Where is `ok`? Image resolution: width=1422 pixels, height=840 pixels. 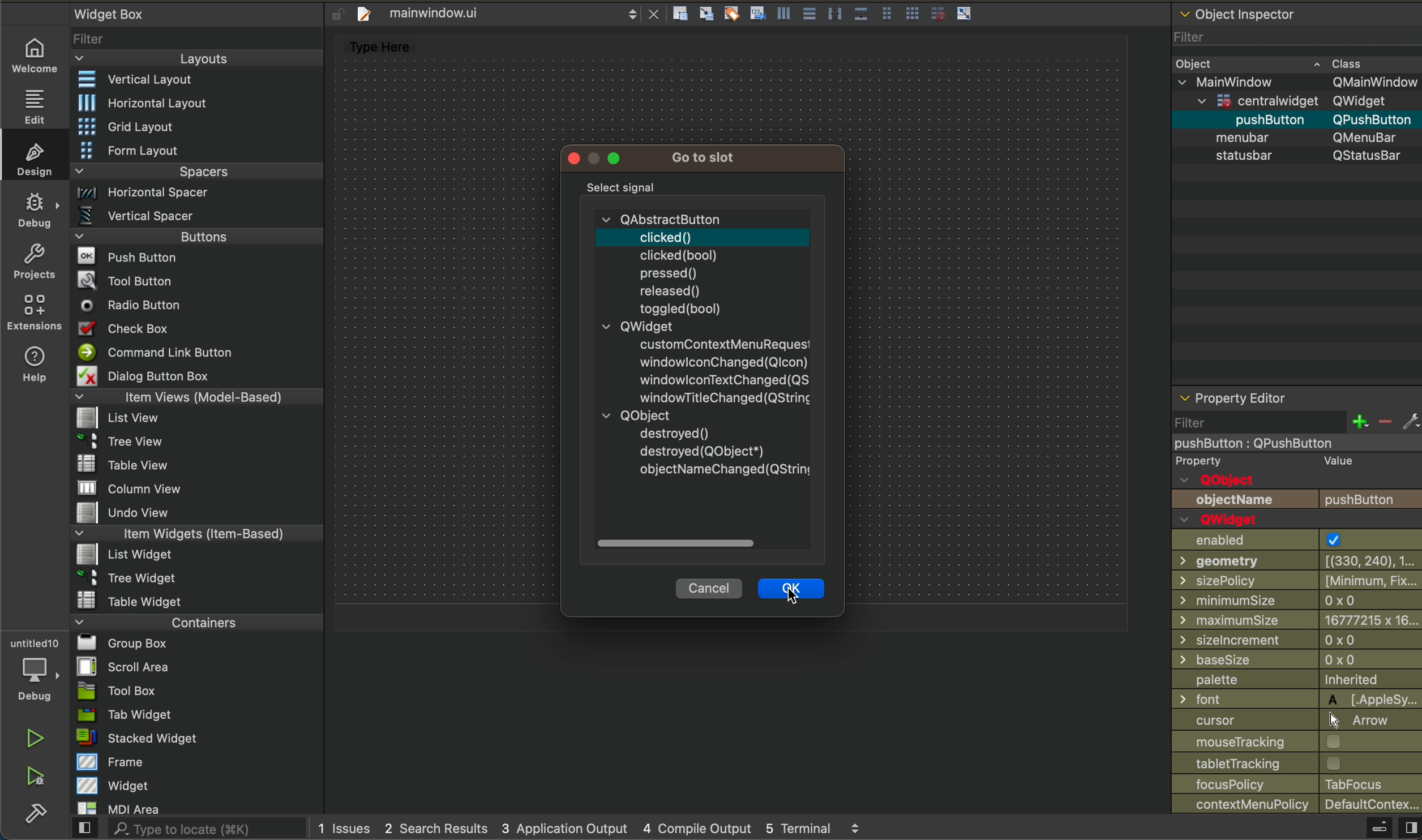 ok is located at coordinates (791, 590).